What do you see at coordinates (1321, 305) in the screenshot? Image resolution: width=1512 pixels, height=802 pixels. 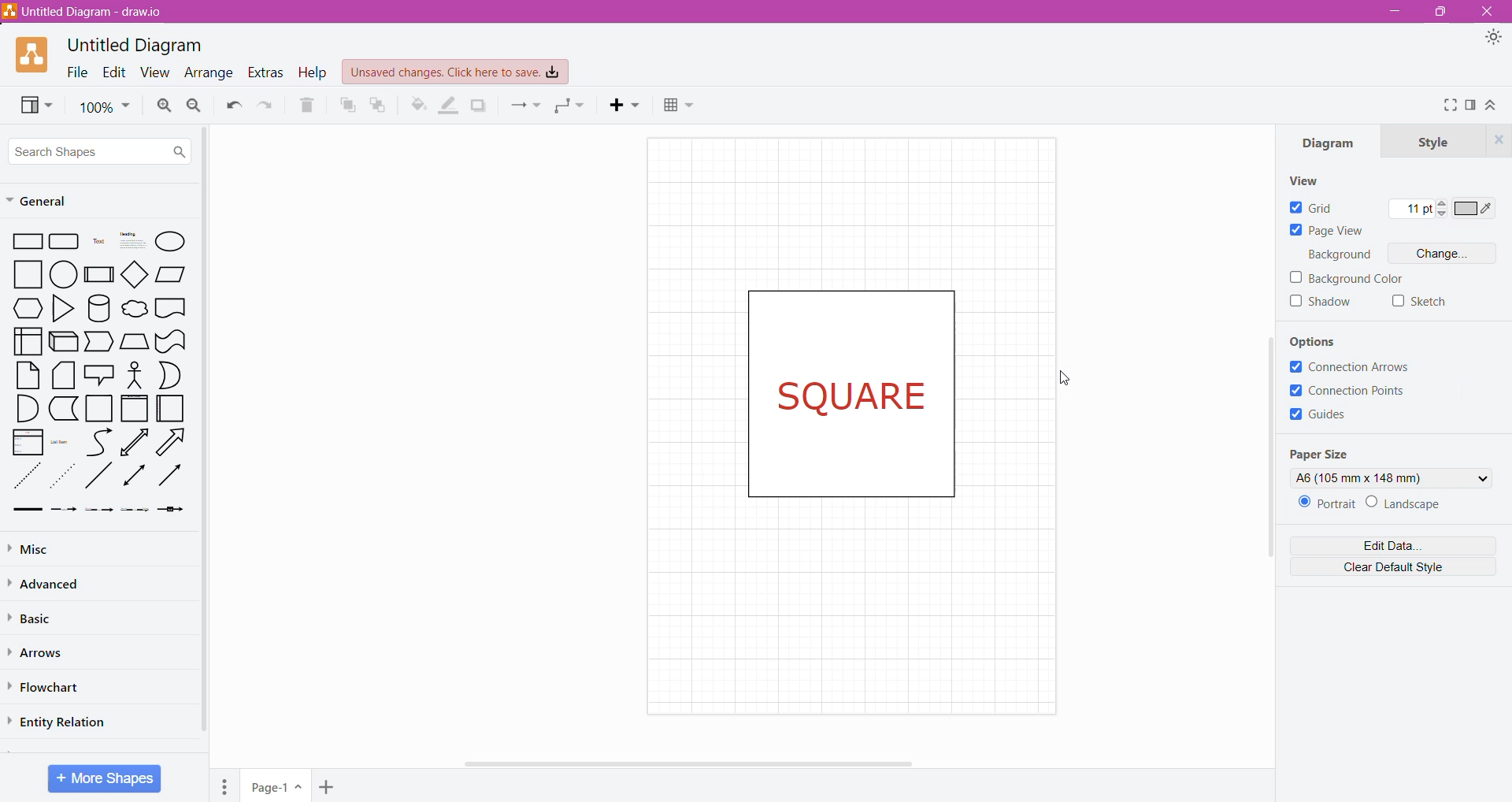 I see `Shadow - click to enable/disable` at bounding box center [1321, 305].